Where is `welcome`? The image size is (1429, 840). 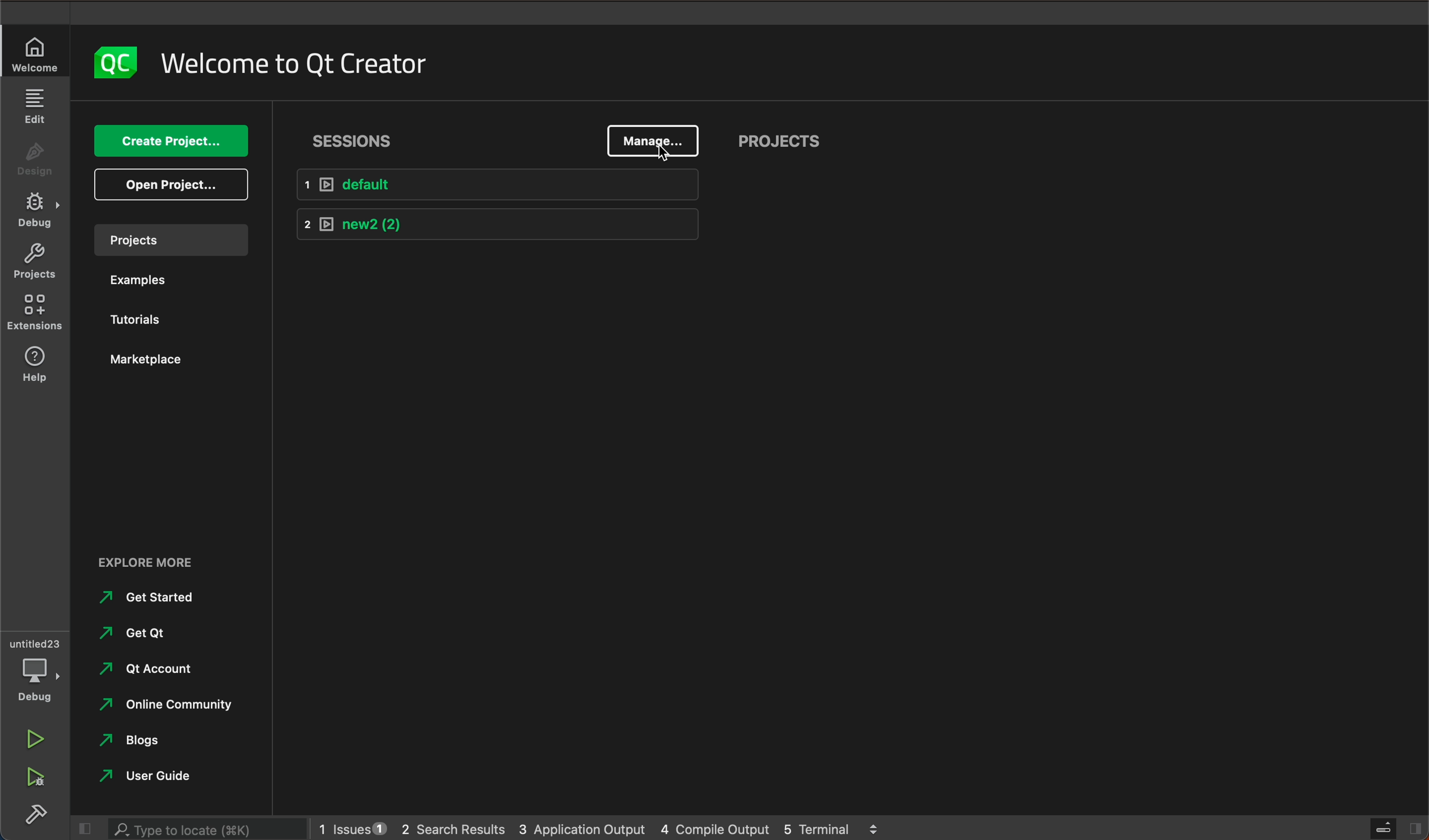 welcome is located at coordinates (296, 62).